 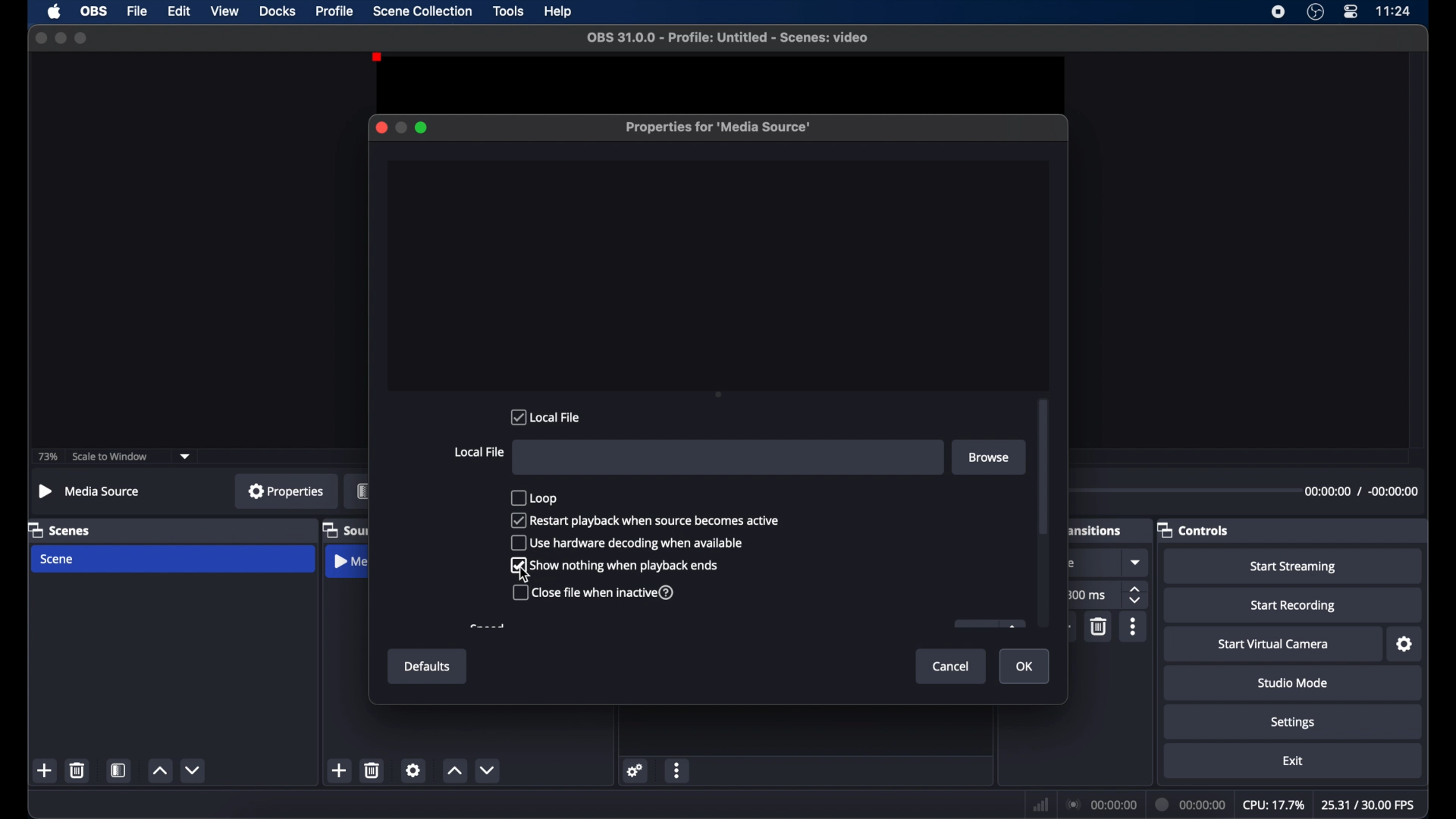 What do you see at coordinates (40, 38) in the screenshot?
I see `close` at bounding box center [40, 38].